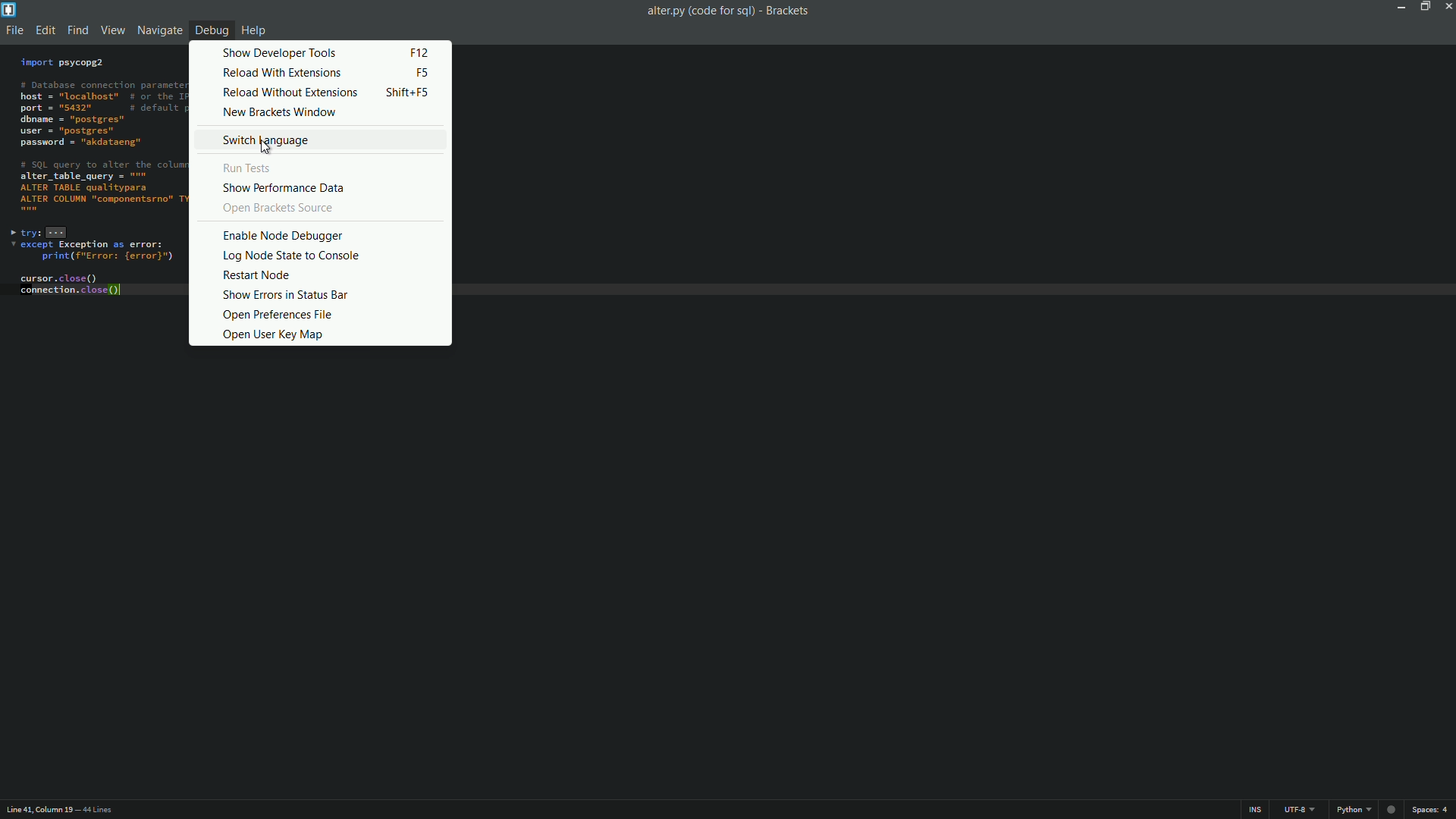 This screenshot has width=1456, height=819. Describe the element at coordinates (284, 73) in the screenshot. I see `Reload with extensions` at that location.